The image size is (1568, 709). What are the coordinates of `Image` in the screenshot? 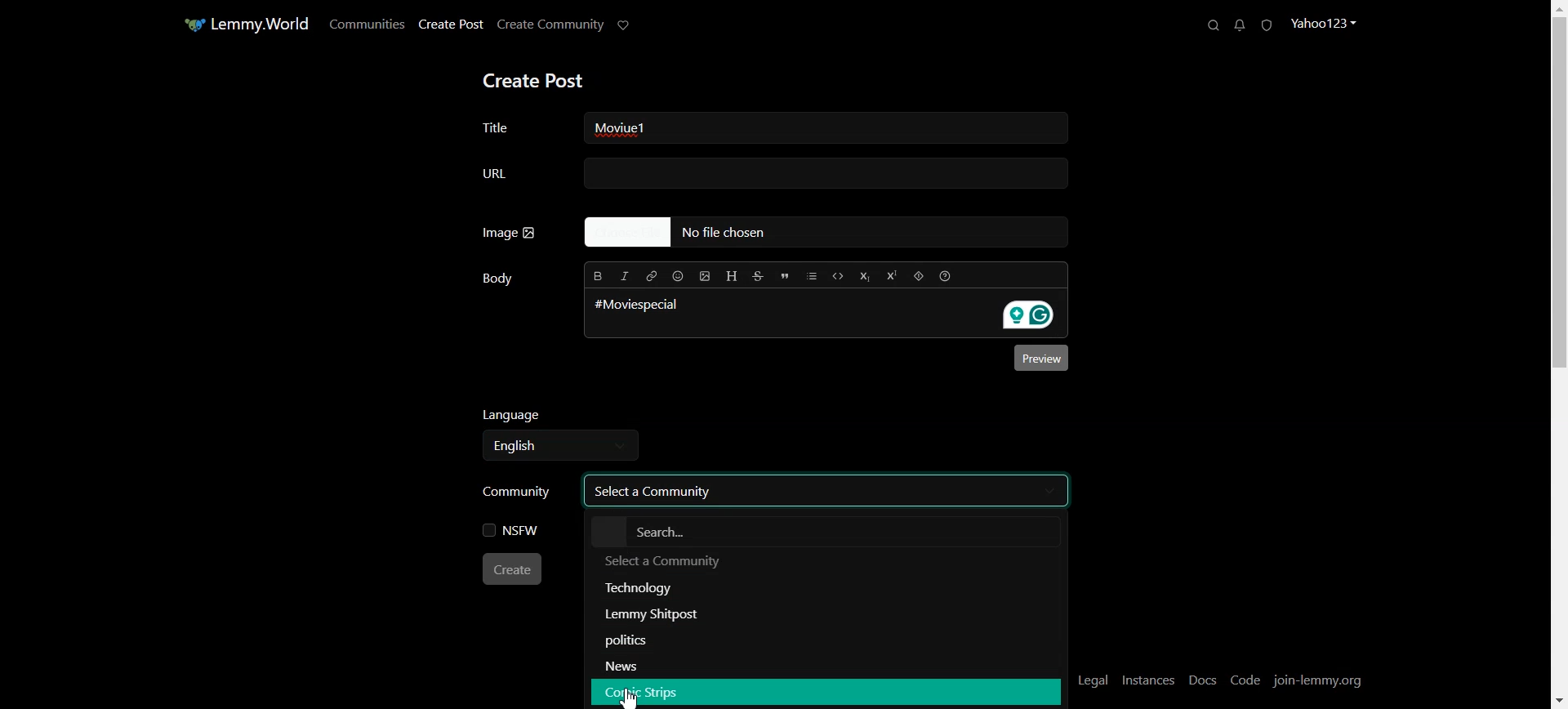 It's located at (518, 233).